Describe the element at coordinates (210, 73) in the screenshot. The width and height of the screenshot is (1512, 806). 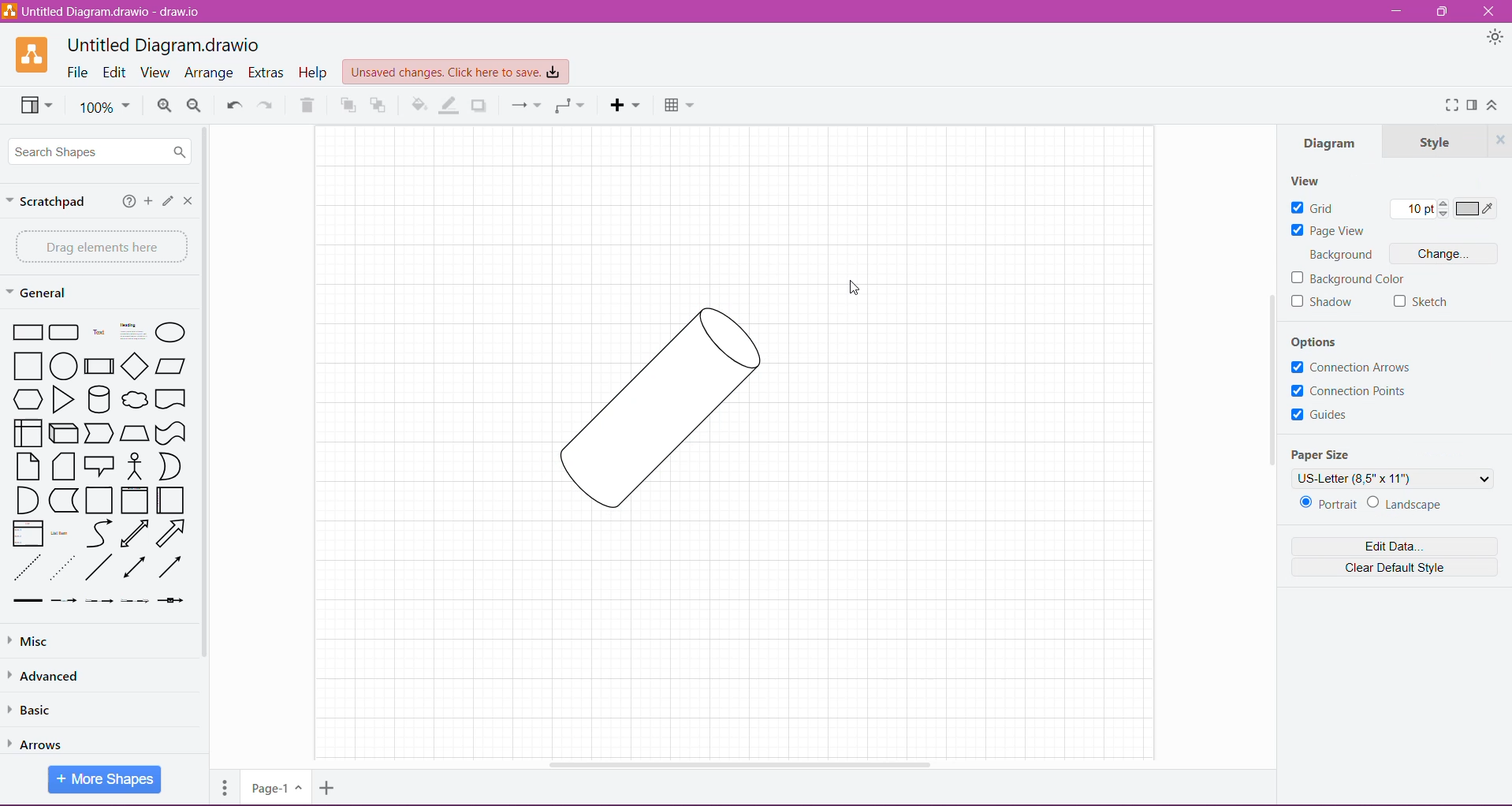
I see `Arrange` at that location.